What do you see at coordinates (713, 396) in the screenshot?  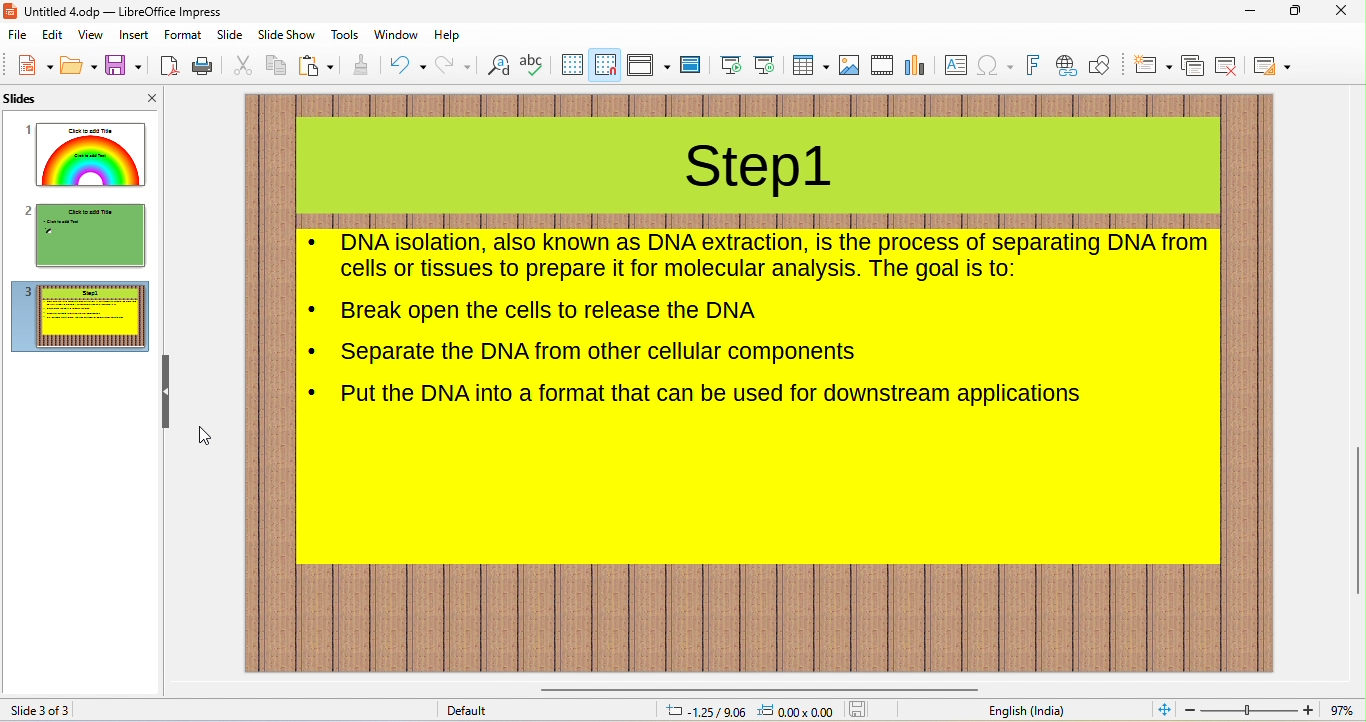 I see `content` at bounding box center [713, 396].